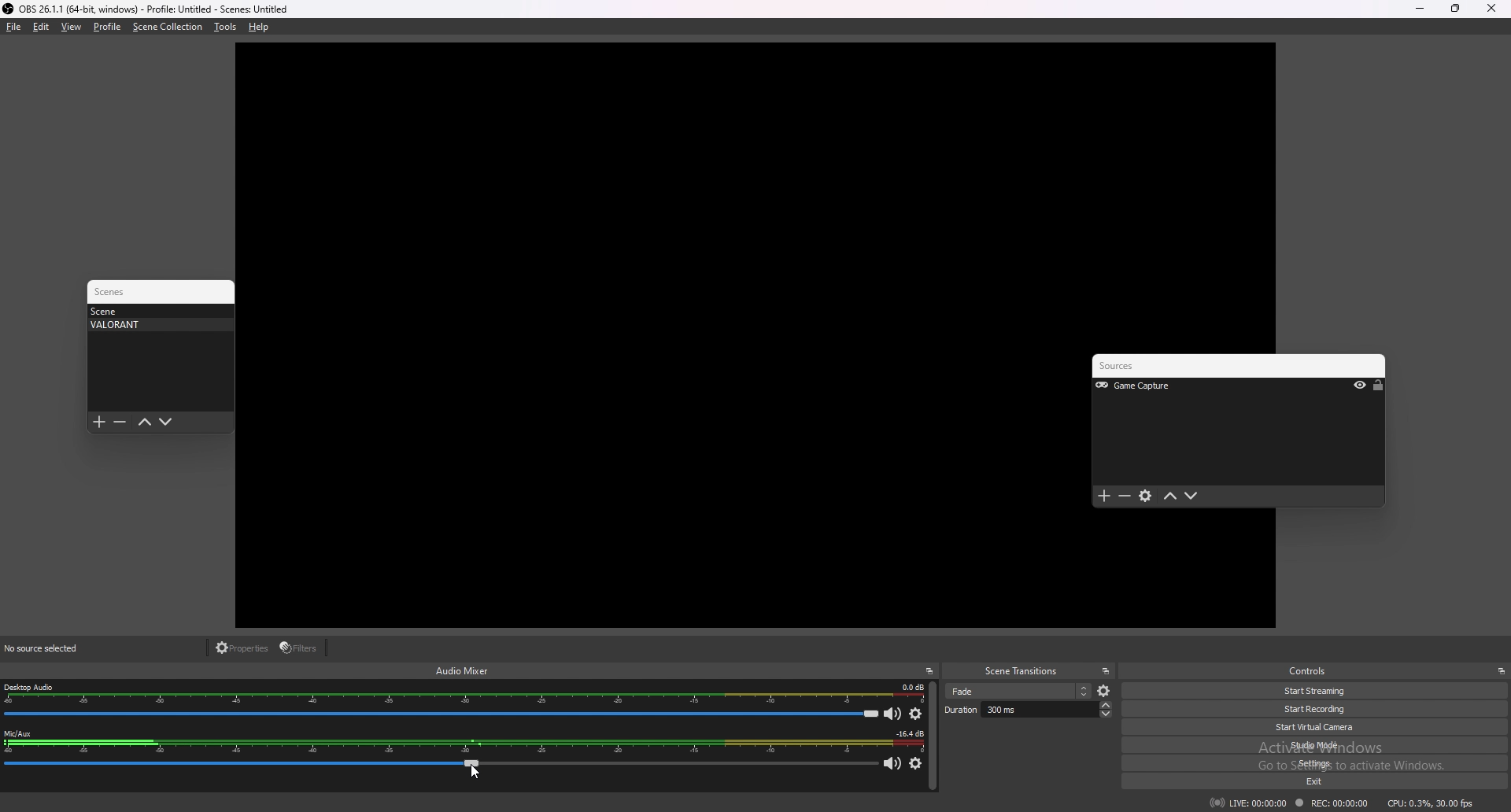 This screenshot has height=812, width=1511. What do you see at coordinates (894, 765) in the screenshot?
I see `mic/aux mute` at bounding box center [894, 765].